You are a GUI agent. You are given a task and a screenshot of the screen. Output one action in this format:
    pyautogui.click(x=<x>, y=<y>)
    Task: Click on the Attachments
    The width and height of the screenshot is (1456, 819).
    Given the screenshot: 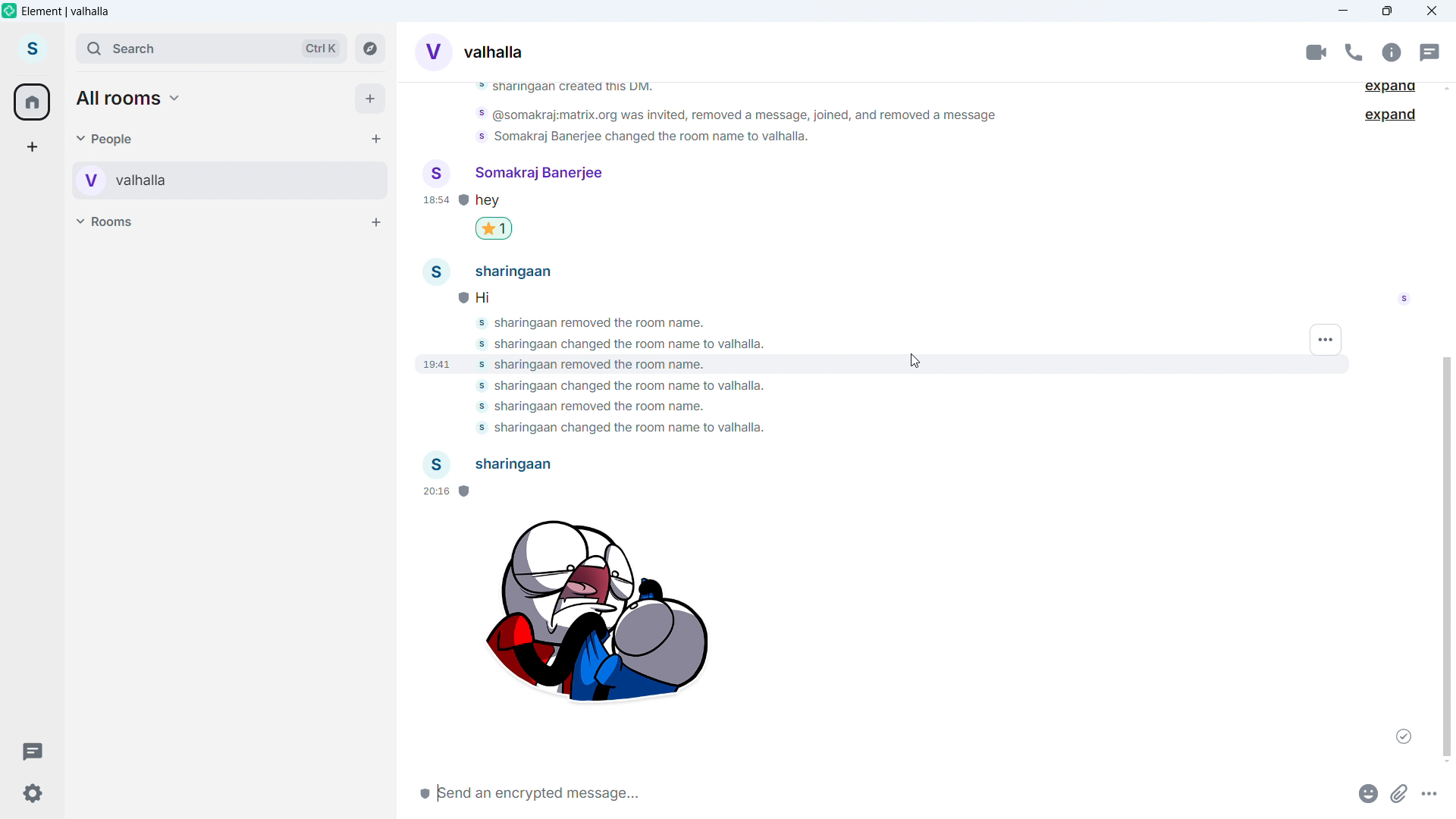 What is the action you would take?
    pyautogui.click(x=1400, y=792)
    